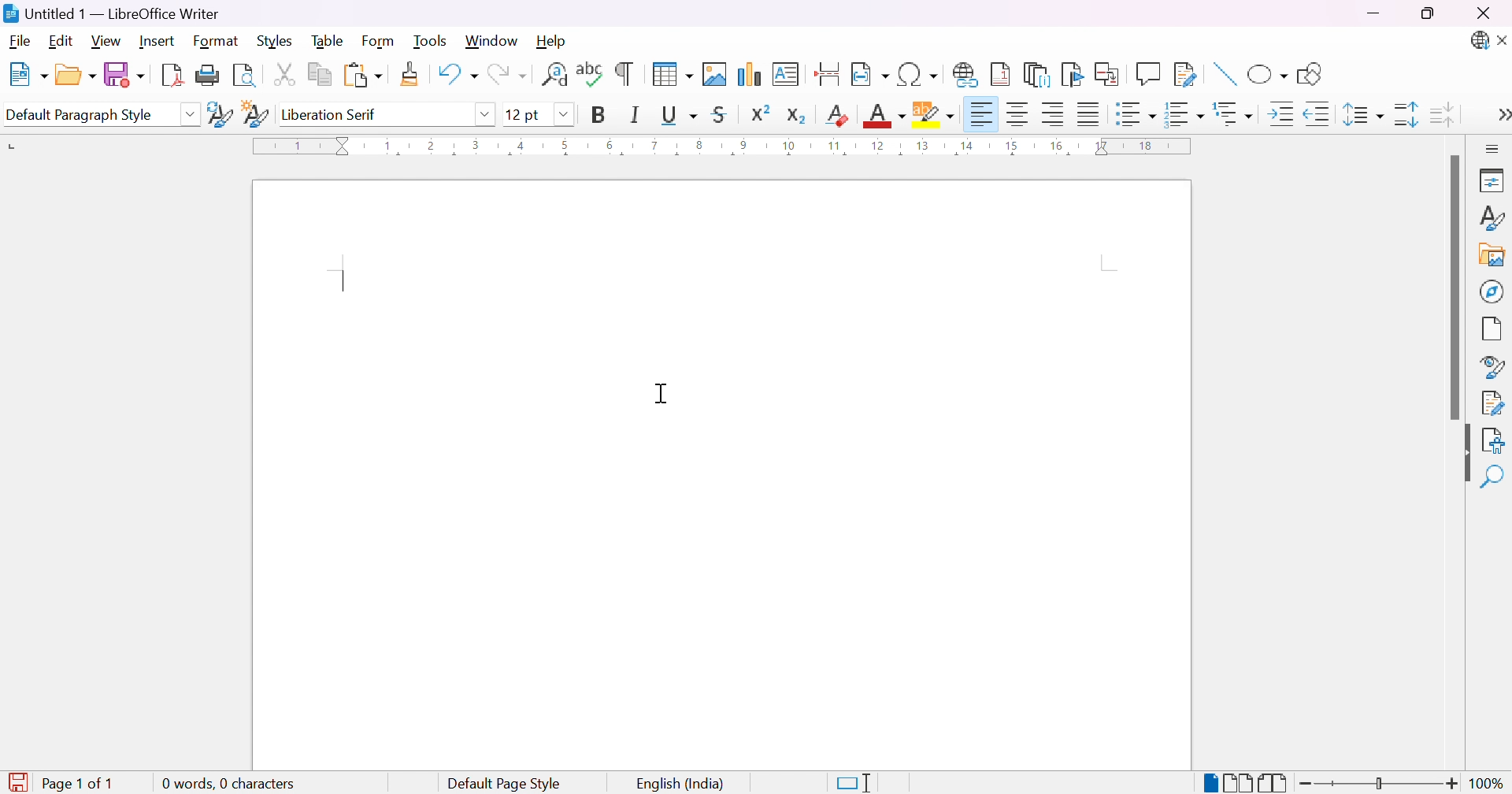  Describe the element at coordinates (869, 75) in the screenshot. I see `Insert field` at that location.